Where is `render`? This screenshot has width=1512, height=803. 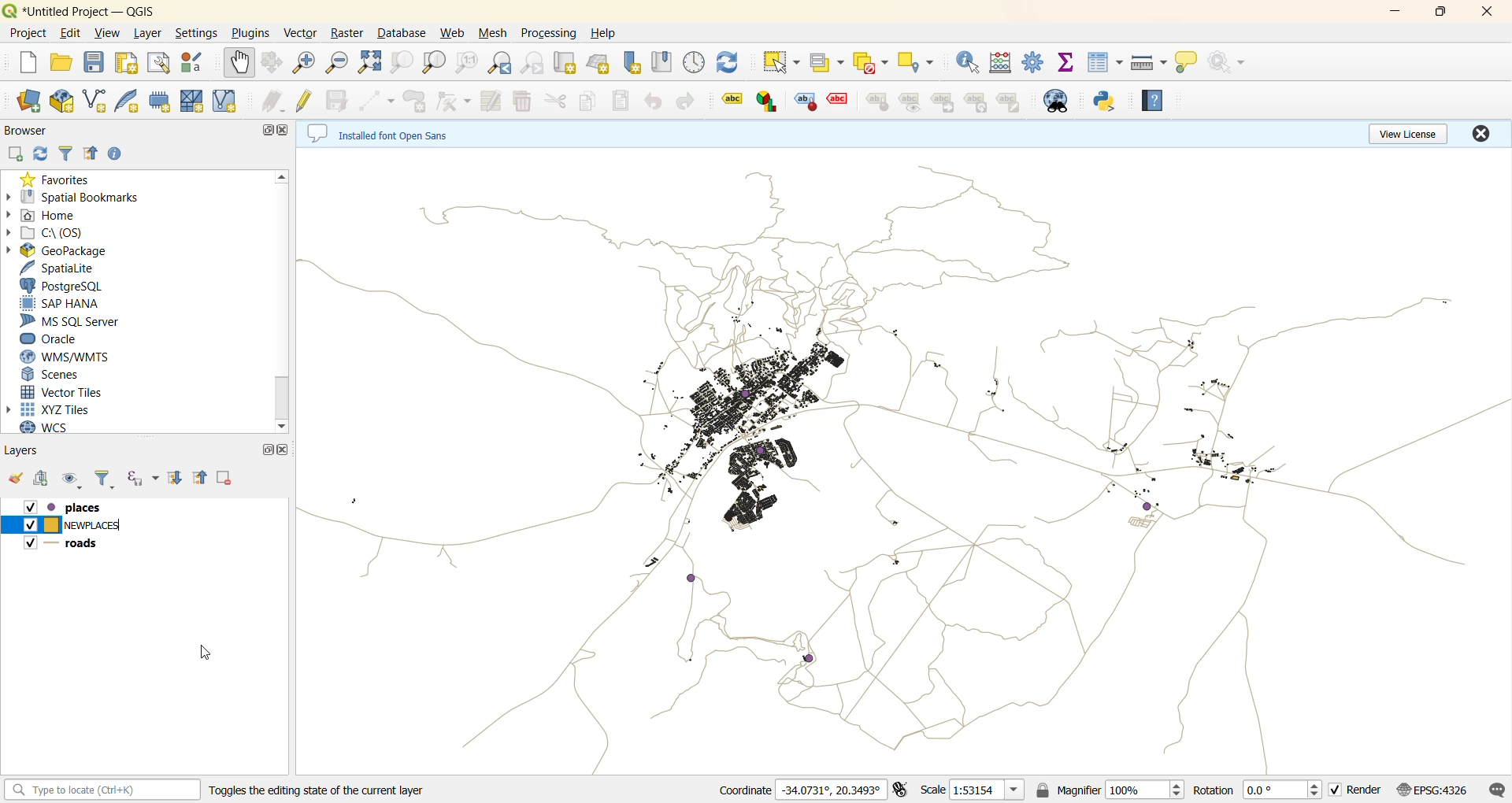
render is located at coordinates (1360, 792).